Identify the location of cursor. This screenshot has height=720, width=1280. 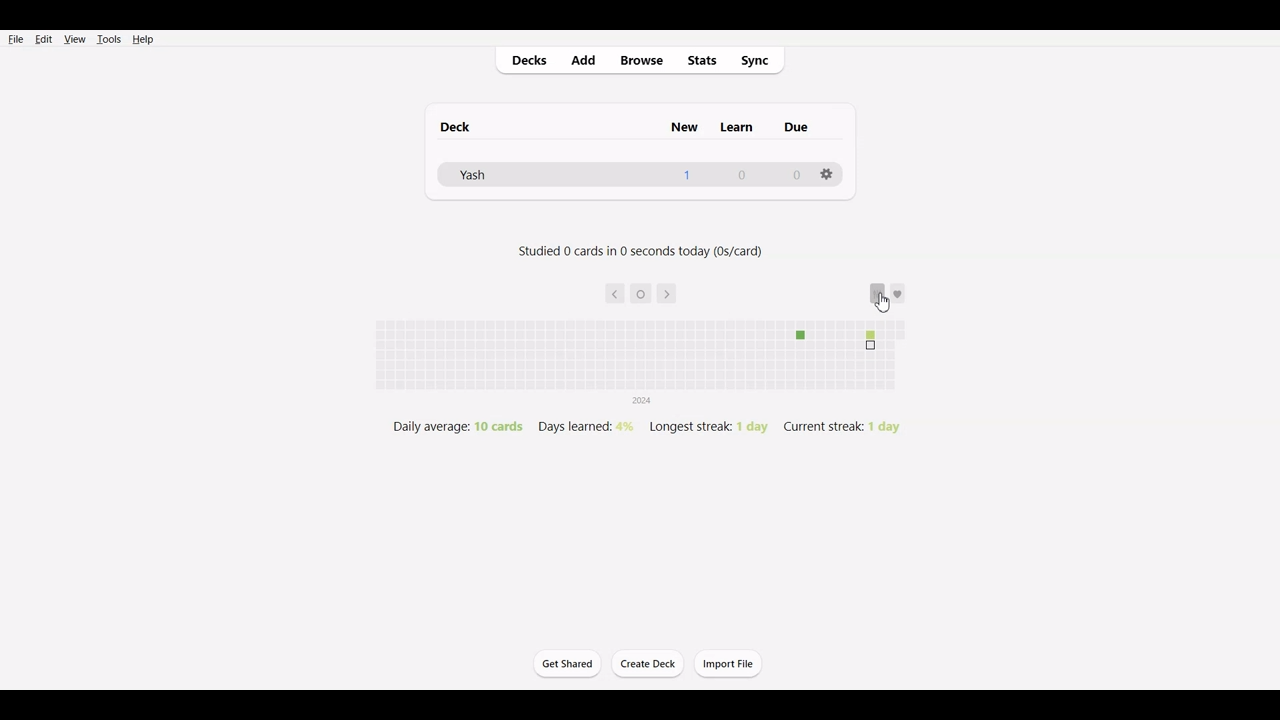
(884, 302).